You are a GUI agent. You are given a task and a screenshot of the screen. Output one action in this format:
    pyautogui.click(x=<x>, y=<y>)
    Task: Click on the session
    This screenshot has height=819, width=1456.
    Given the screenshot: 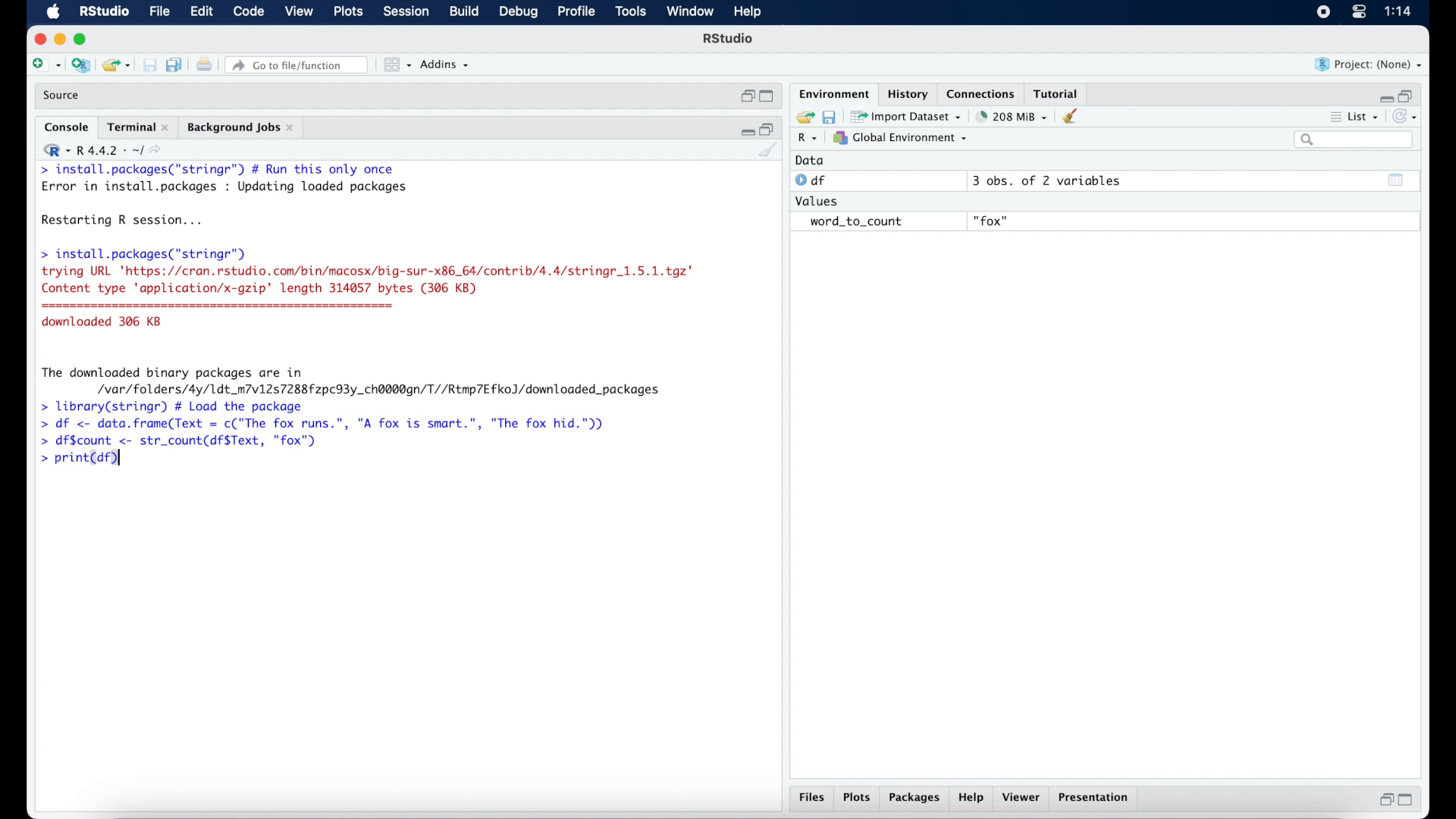 What is the action you would take?
    pyautogui.click(x=405, y=12)
    